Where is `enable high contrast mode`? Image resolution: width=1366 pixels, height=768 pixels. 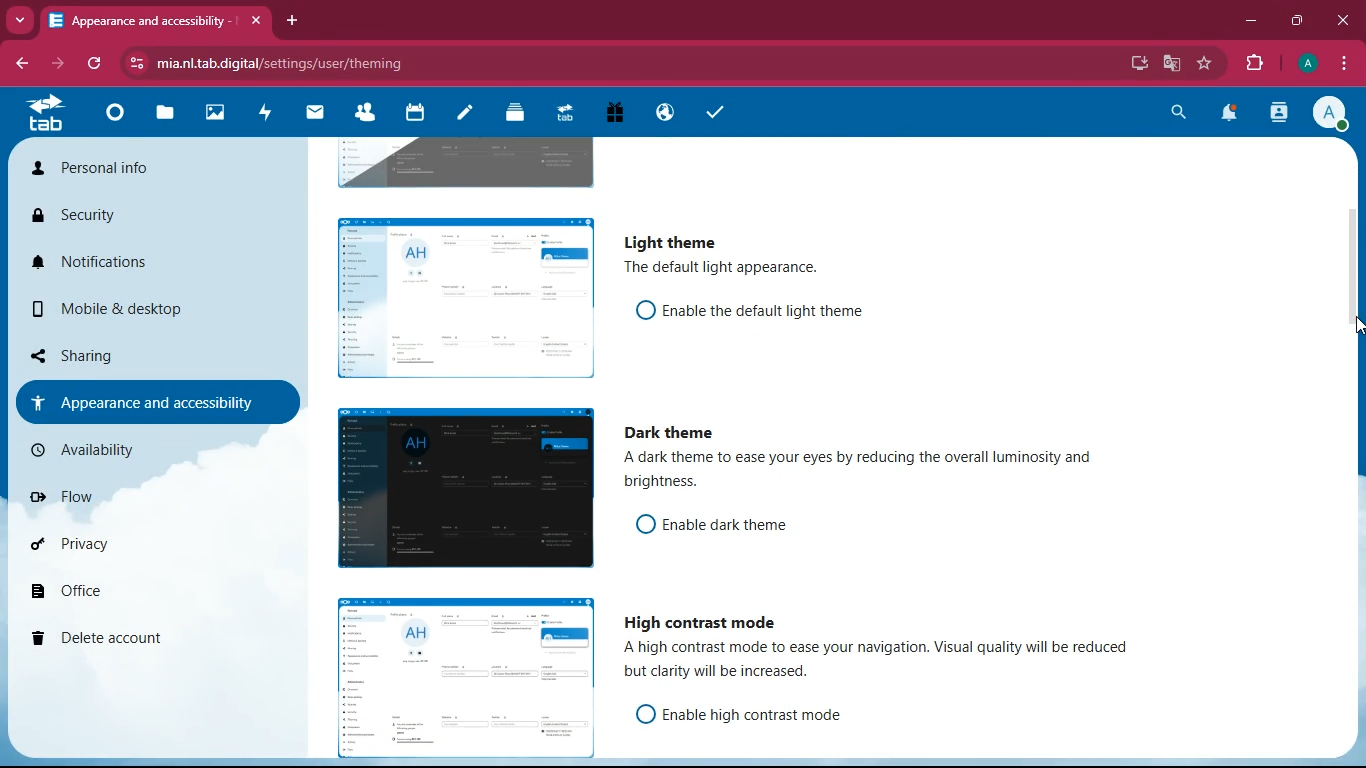 enable high contrast mode is located at coordinates (761, 714).